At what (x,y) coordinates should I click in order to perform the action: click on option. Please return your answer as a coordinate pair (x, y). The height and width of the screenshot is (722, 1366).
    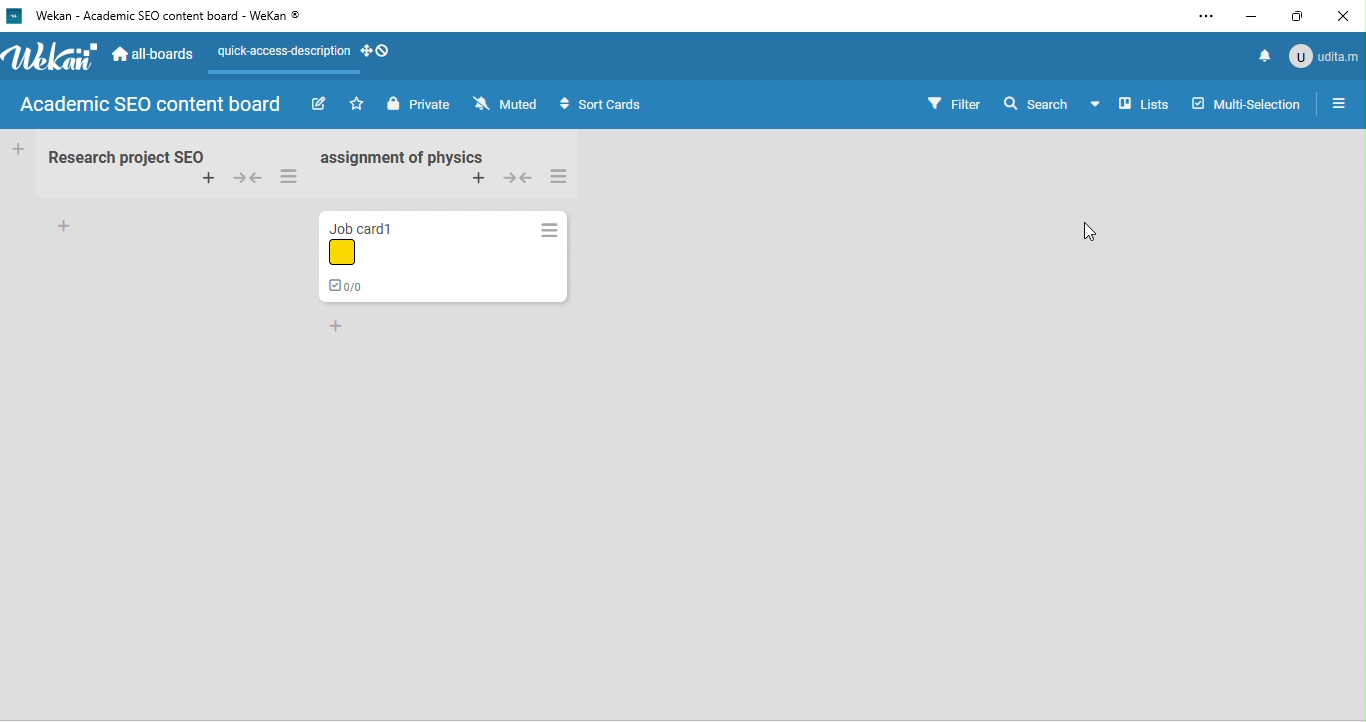
    Looking at the image, I should click on (1205, 17).